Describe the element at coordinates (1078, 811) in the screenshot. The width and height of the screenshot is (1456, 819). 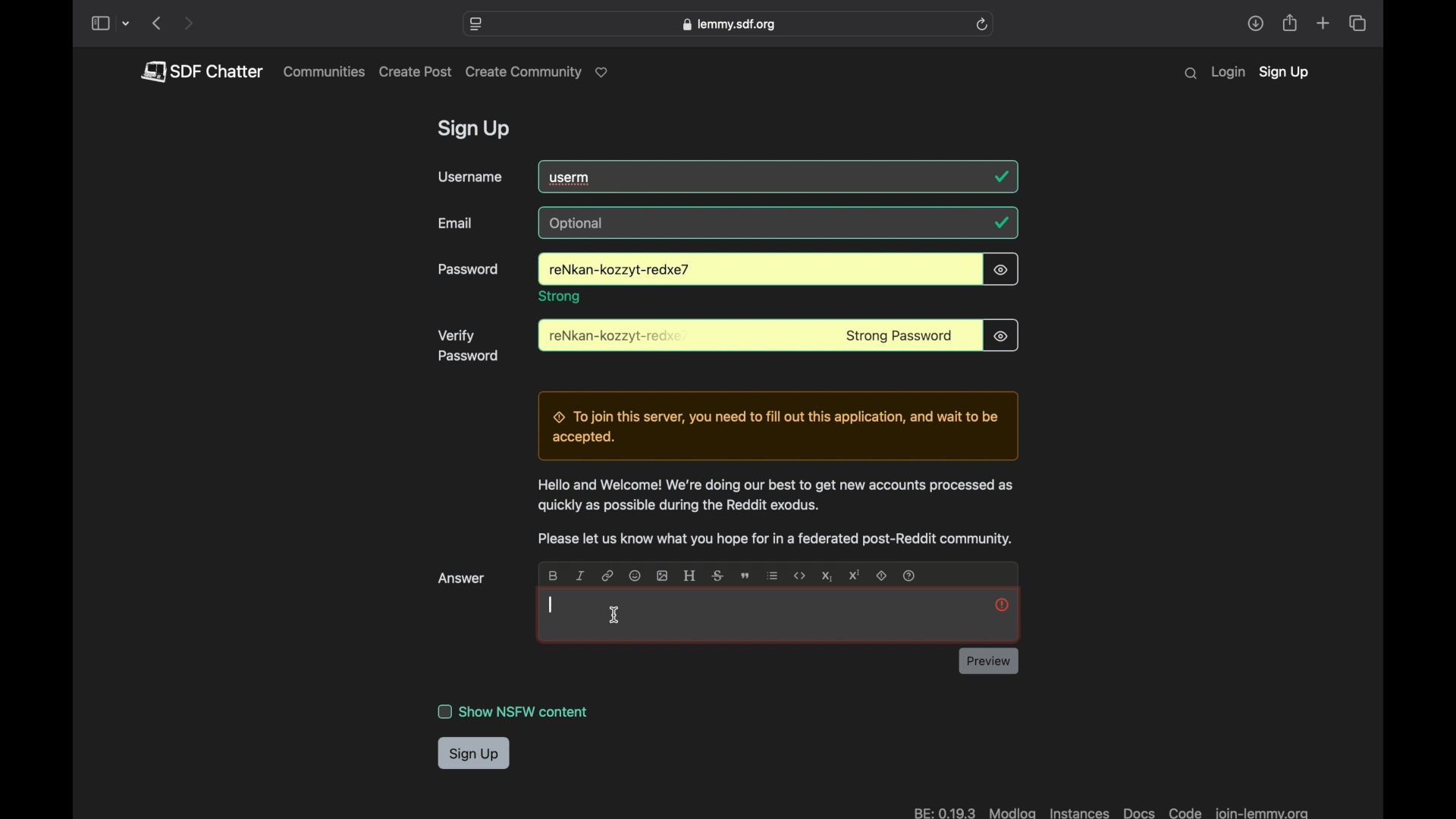
I see `instances` at that location.